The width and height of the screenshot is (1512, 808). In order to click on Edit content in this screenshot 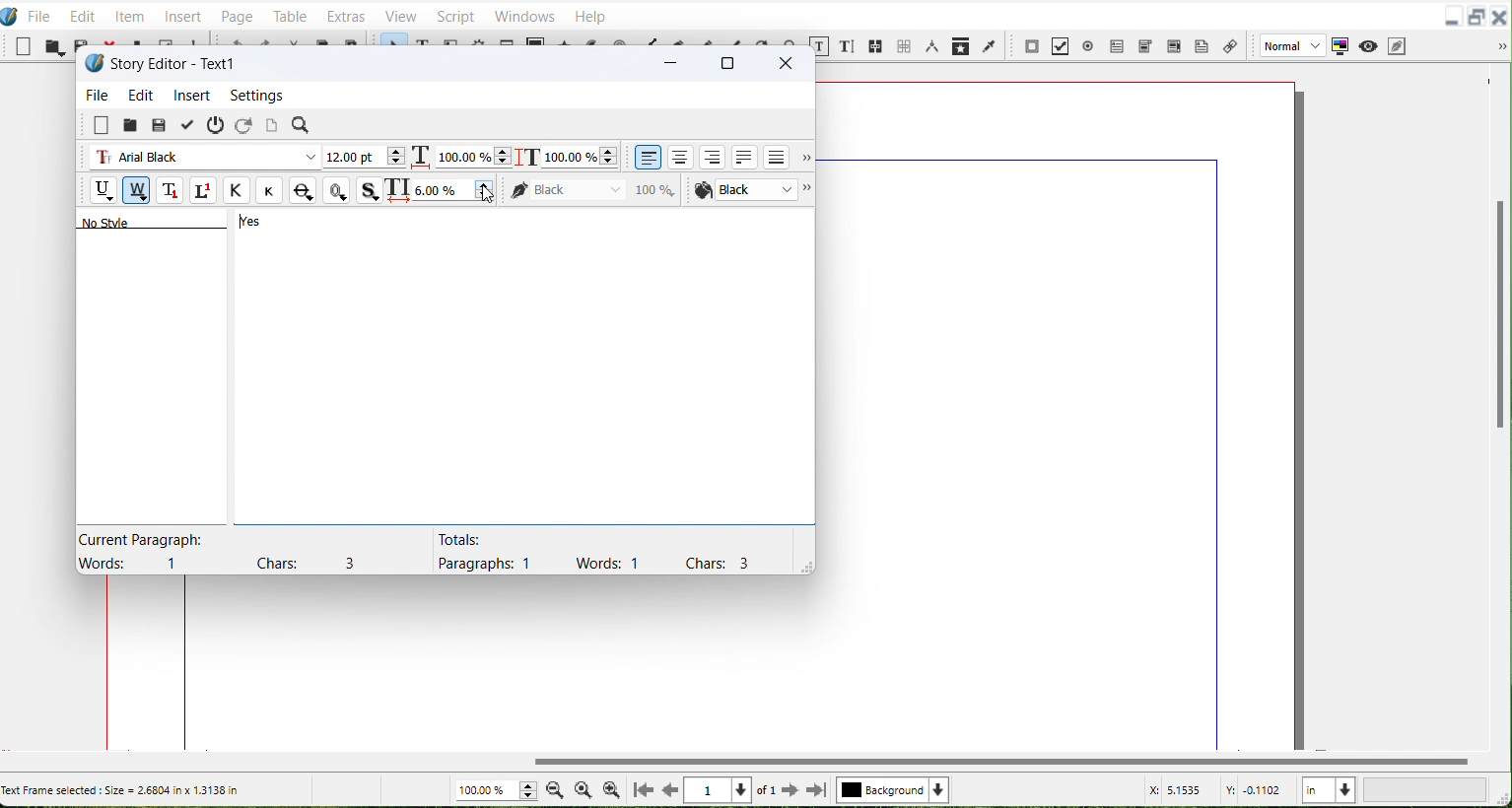, I will do `click(820, 45)`.